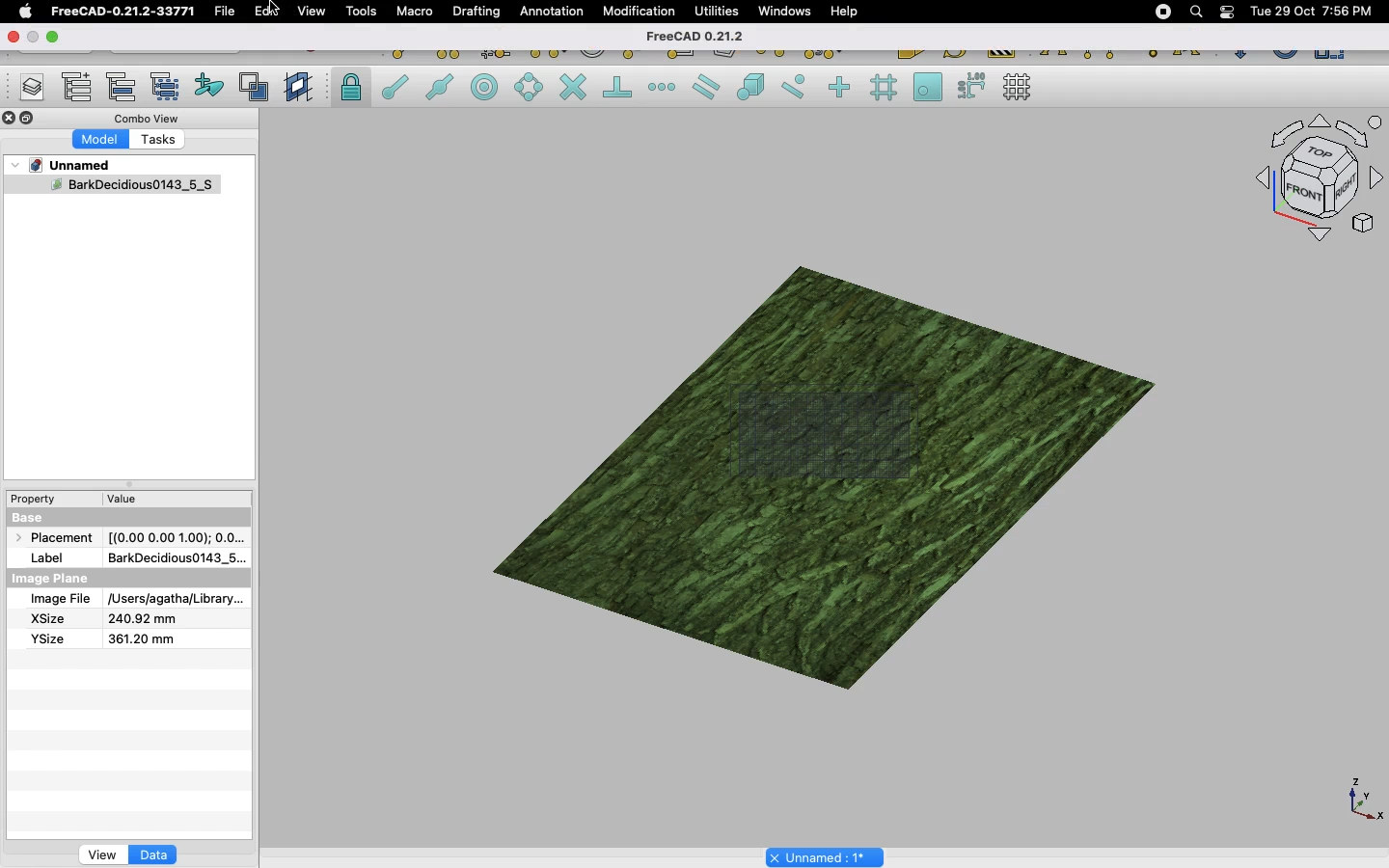  I want to click on close, so click(11, 38).